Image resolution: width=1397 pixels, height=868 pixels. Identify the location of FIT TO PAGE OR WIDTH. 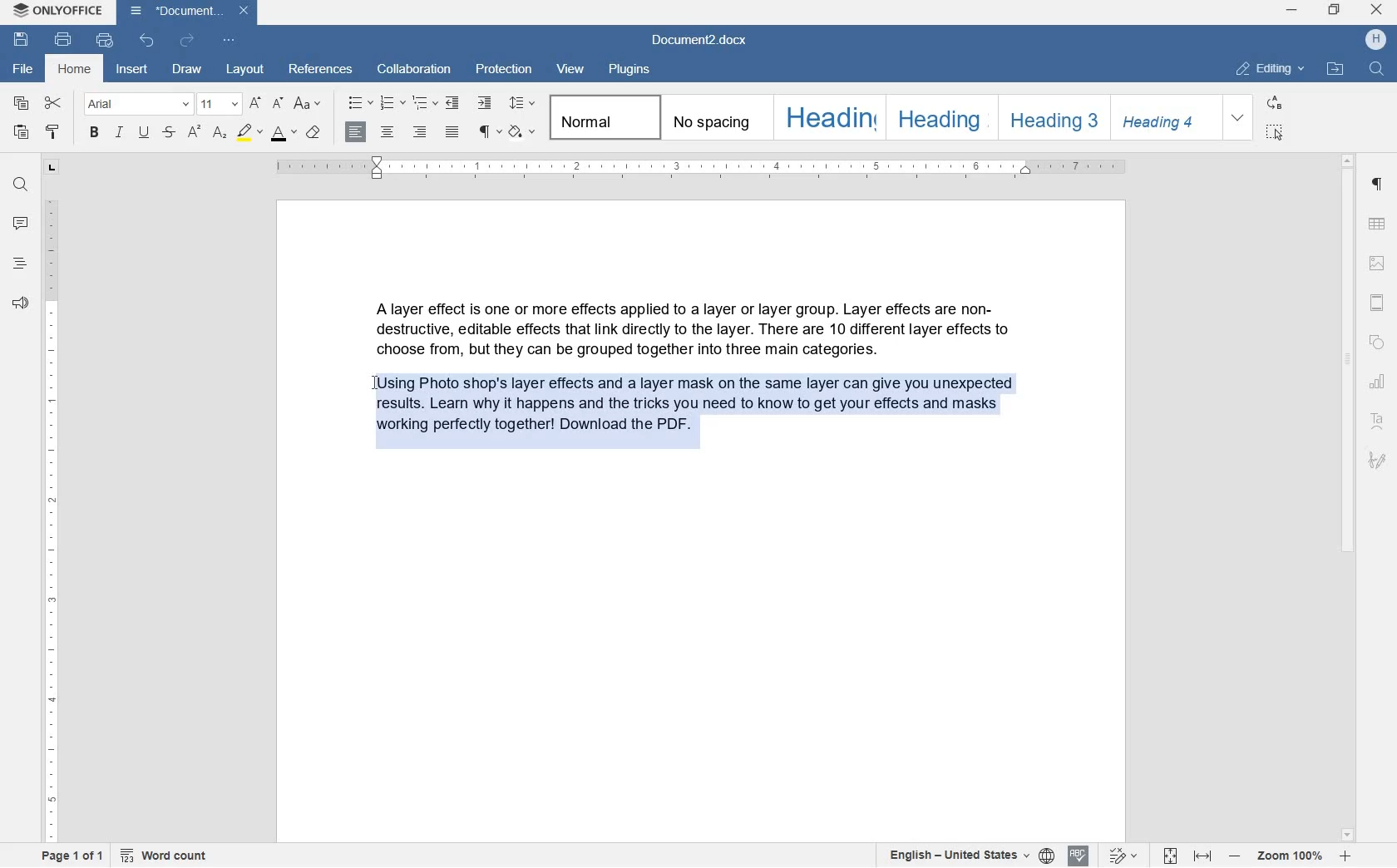
(1187, 856).